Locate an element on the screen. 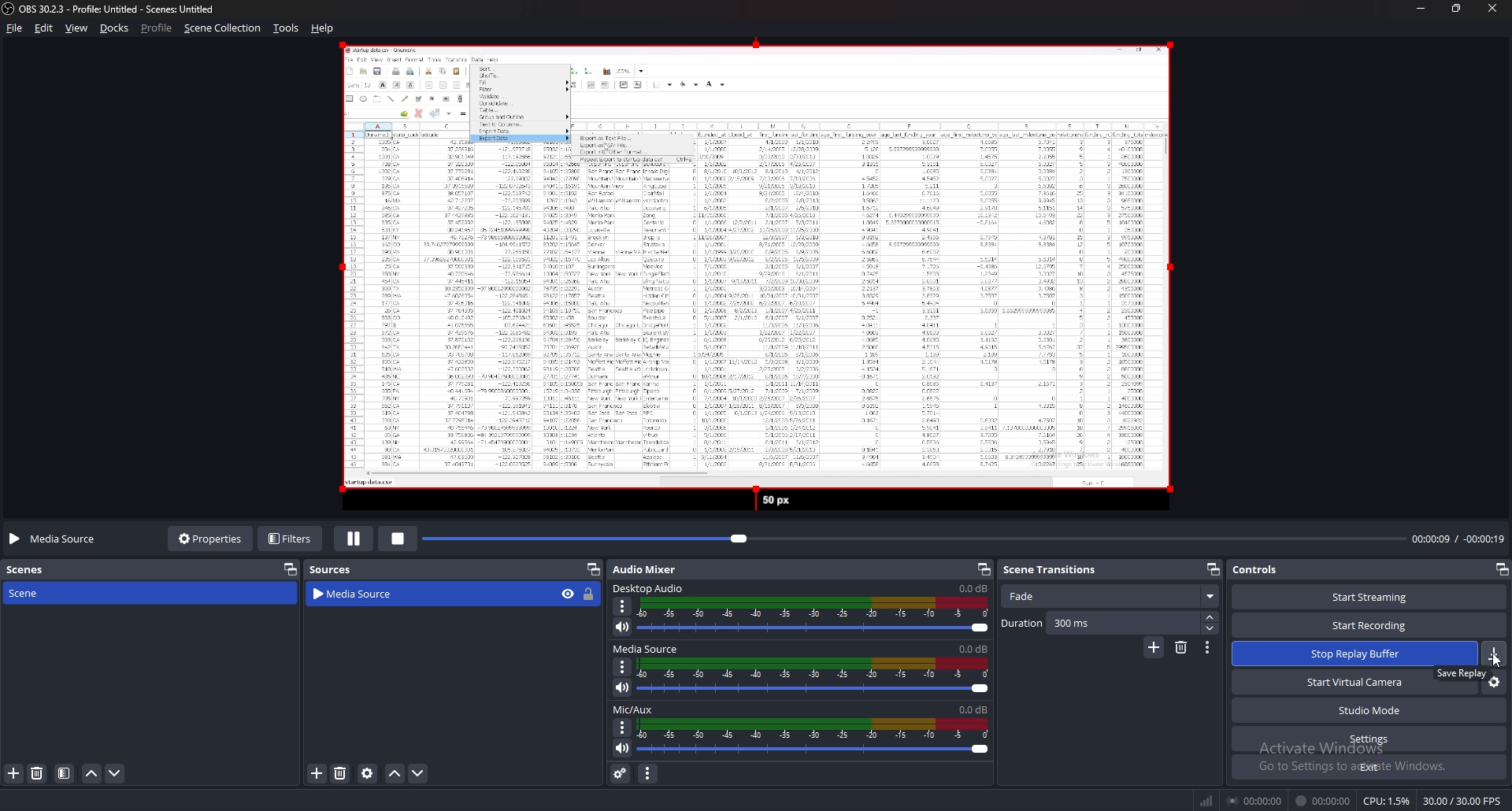 This screenshot has height=811, width=1512. resize is located at coordinates (1455, 8).